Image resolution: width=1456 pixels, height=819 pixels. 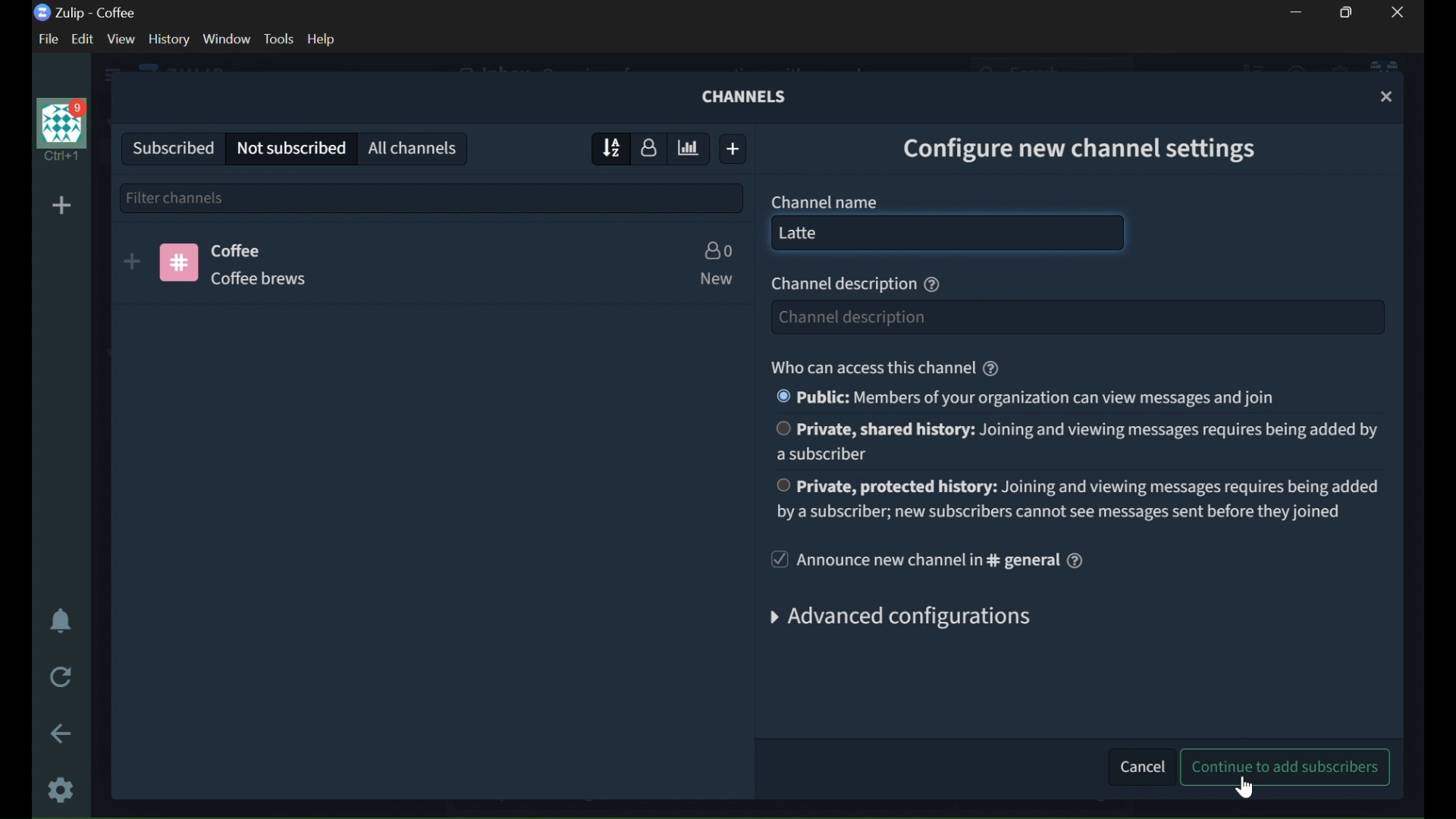 What do you see at coordinates (120, 39) in the screenshot?
I see `VIEW` at bounding box center [120, 39].